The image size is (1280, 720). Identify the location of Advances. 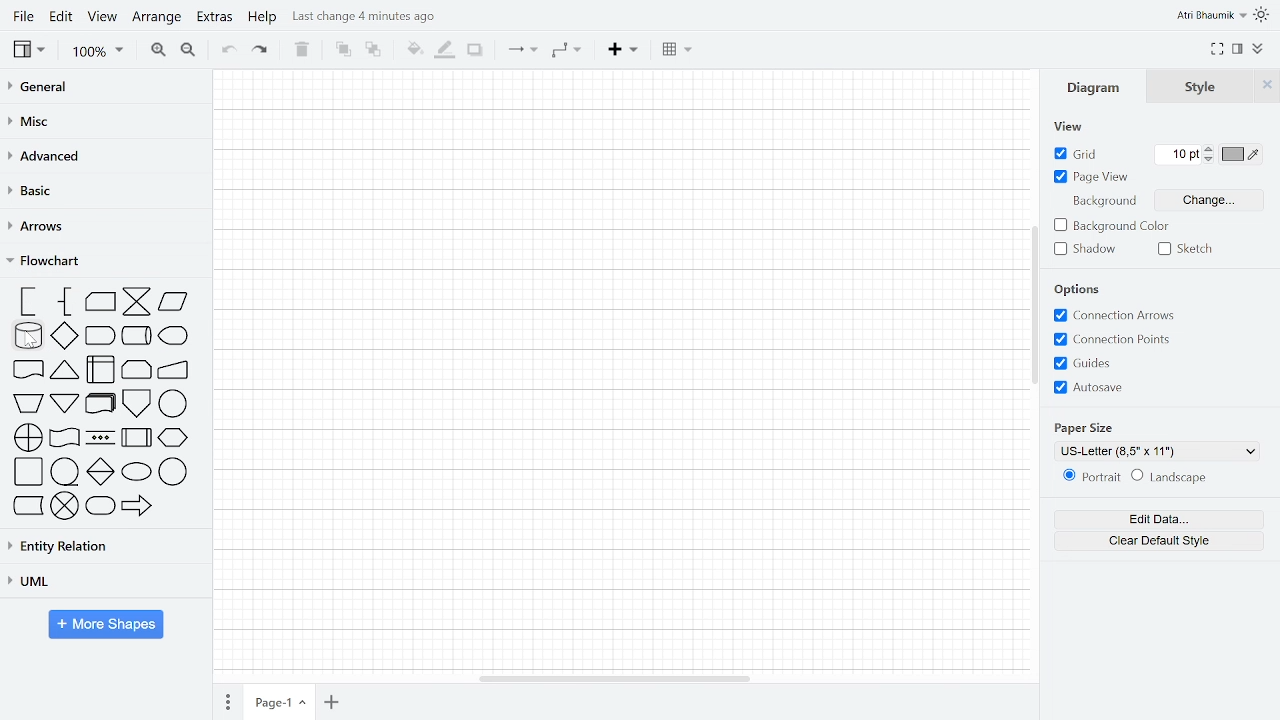
(101, 156).